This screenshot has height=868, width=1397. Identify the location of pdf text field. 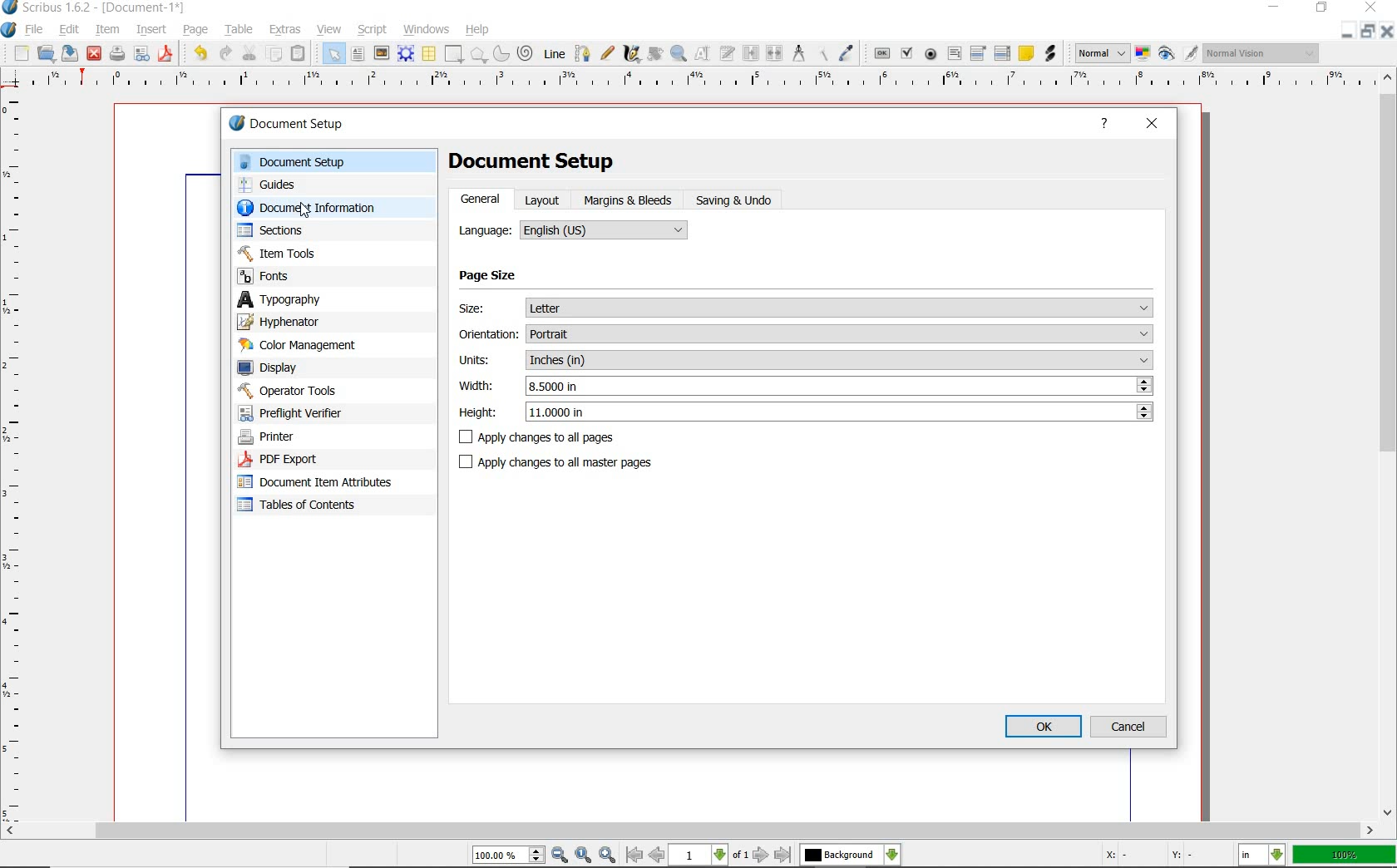
(954, 54).